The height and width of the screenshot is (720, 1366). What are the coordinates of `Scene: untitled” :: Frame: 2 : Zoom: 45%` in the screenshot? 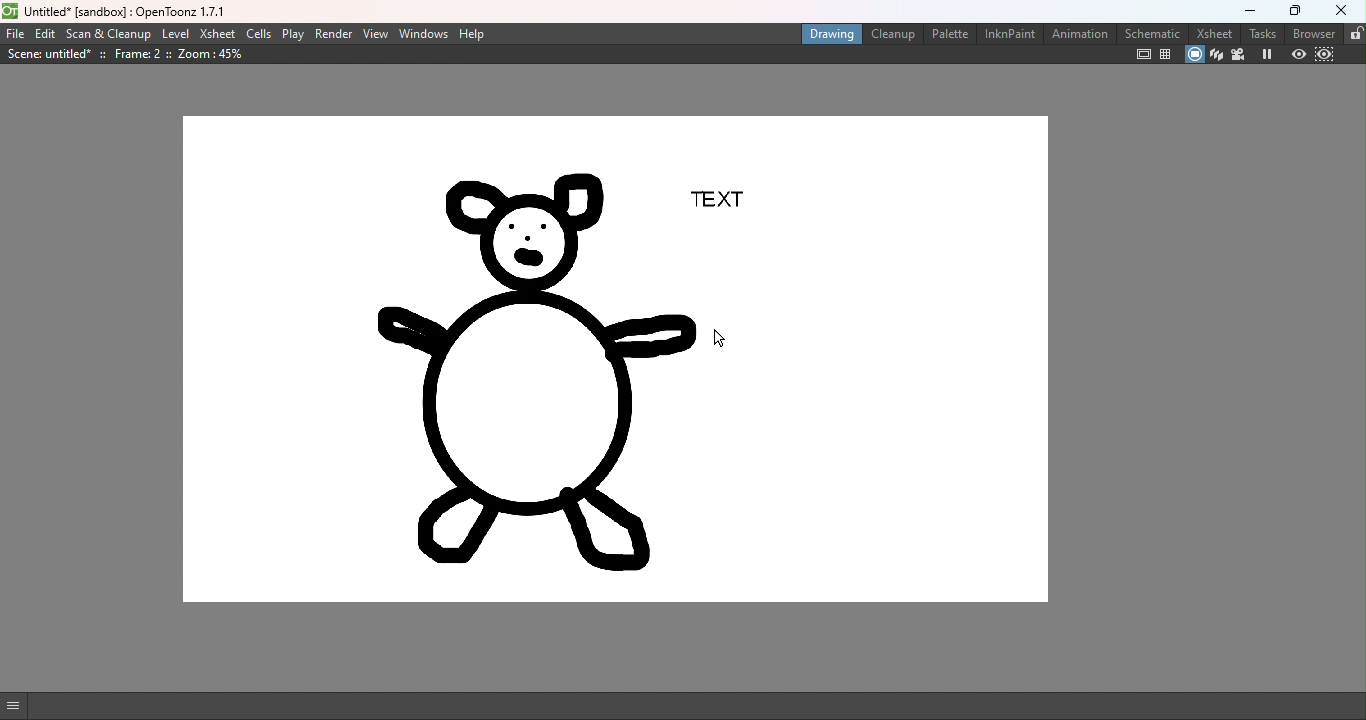 It's located at (133, 58).